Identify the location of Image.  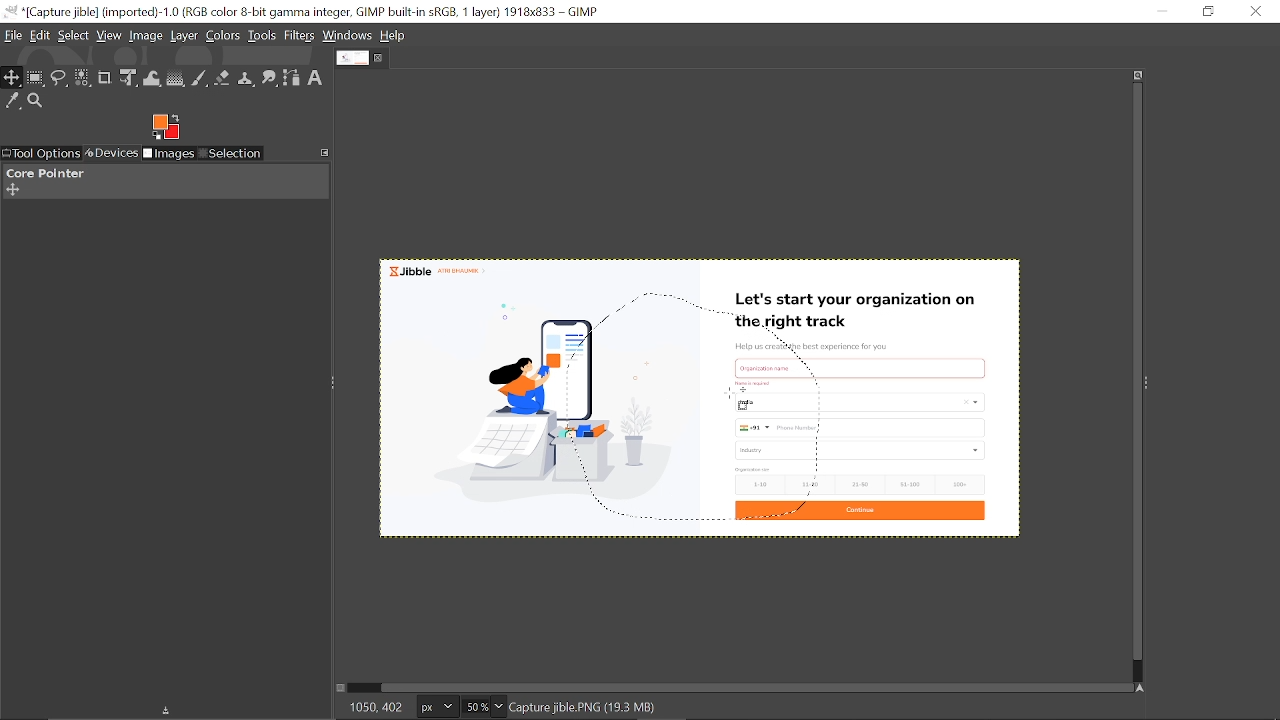
(147, 36).